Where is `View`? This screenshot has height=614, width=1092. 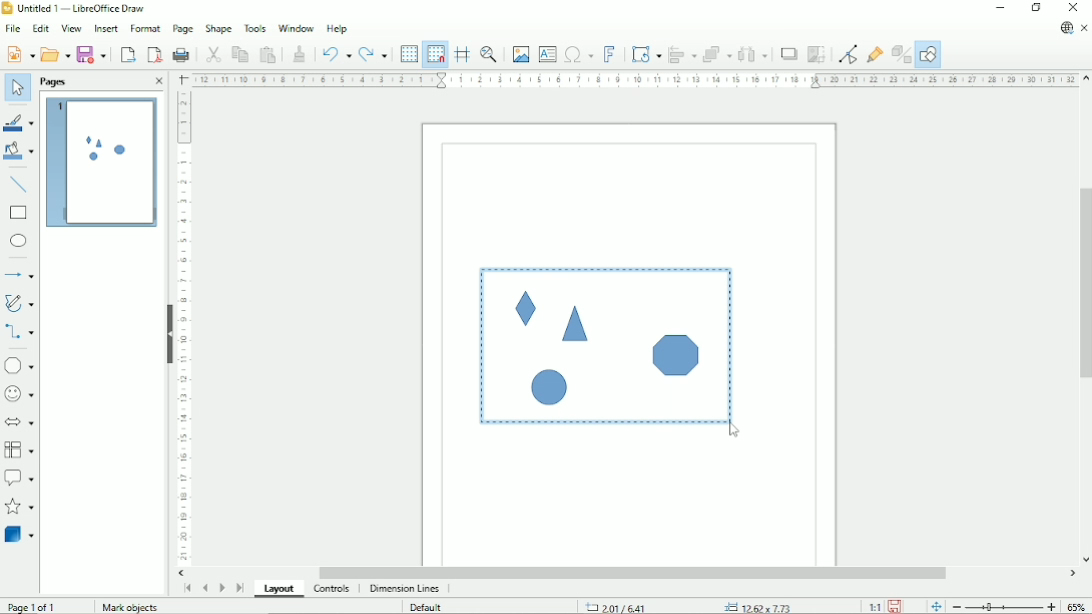
View is located at coordinates (70, 28).